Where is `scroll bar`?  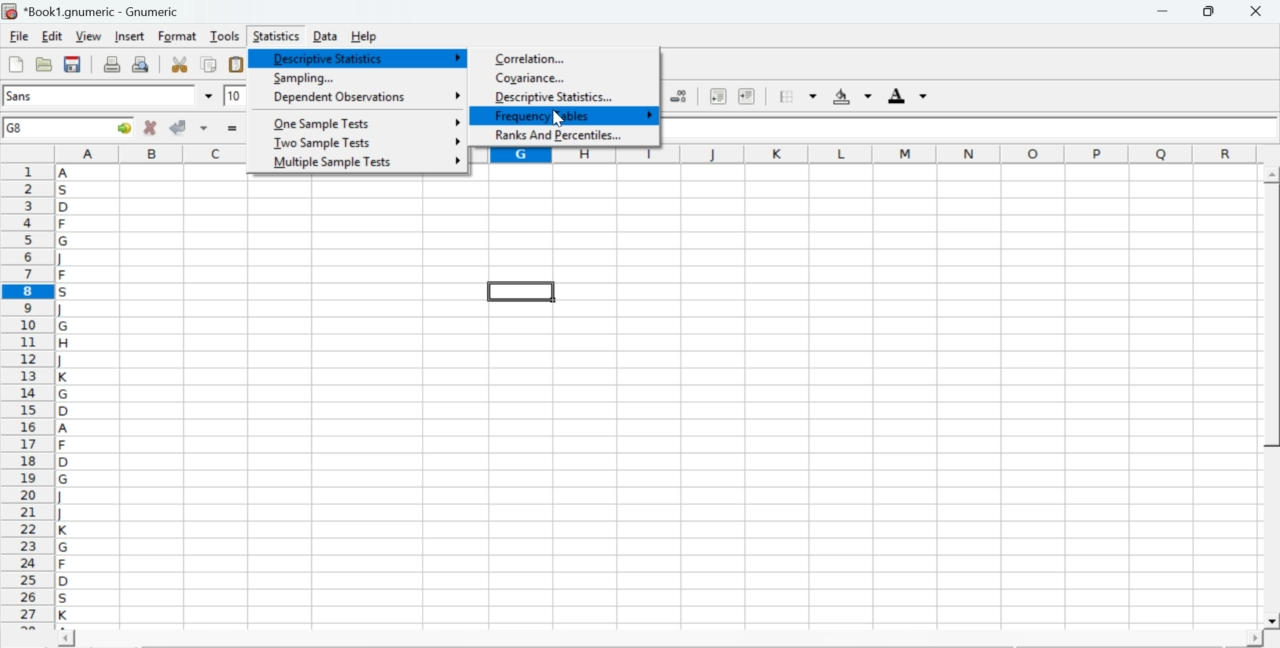 scroll bar is located at coordinates (1272, 398).